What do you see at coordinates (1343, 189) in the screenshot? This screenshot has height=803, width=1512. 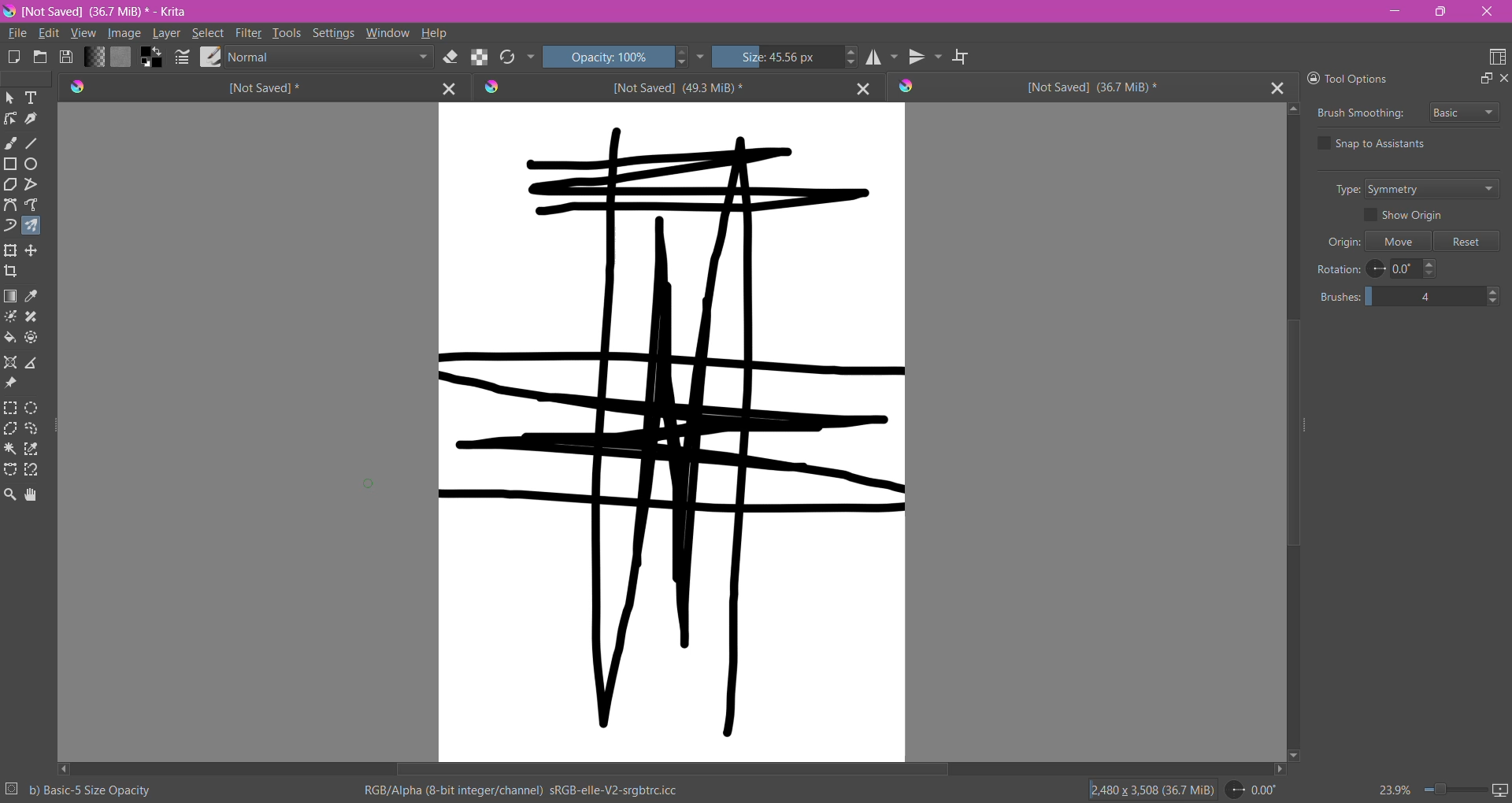 I see `Type` at bounding box center [1343, 189].